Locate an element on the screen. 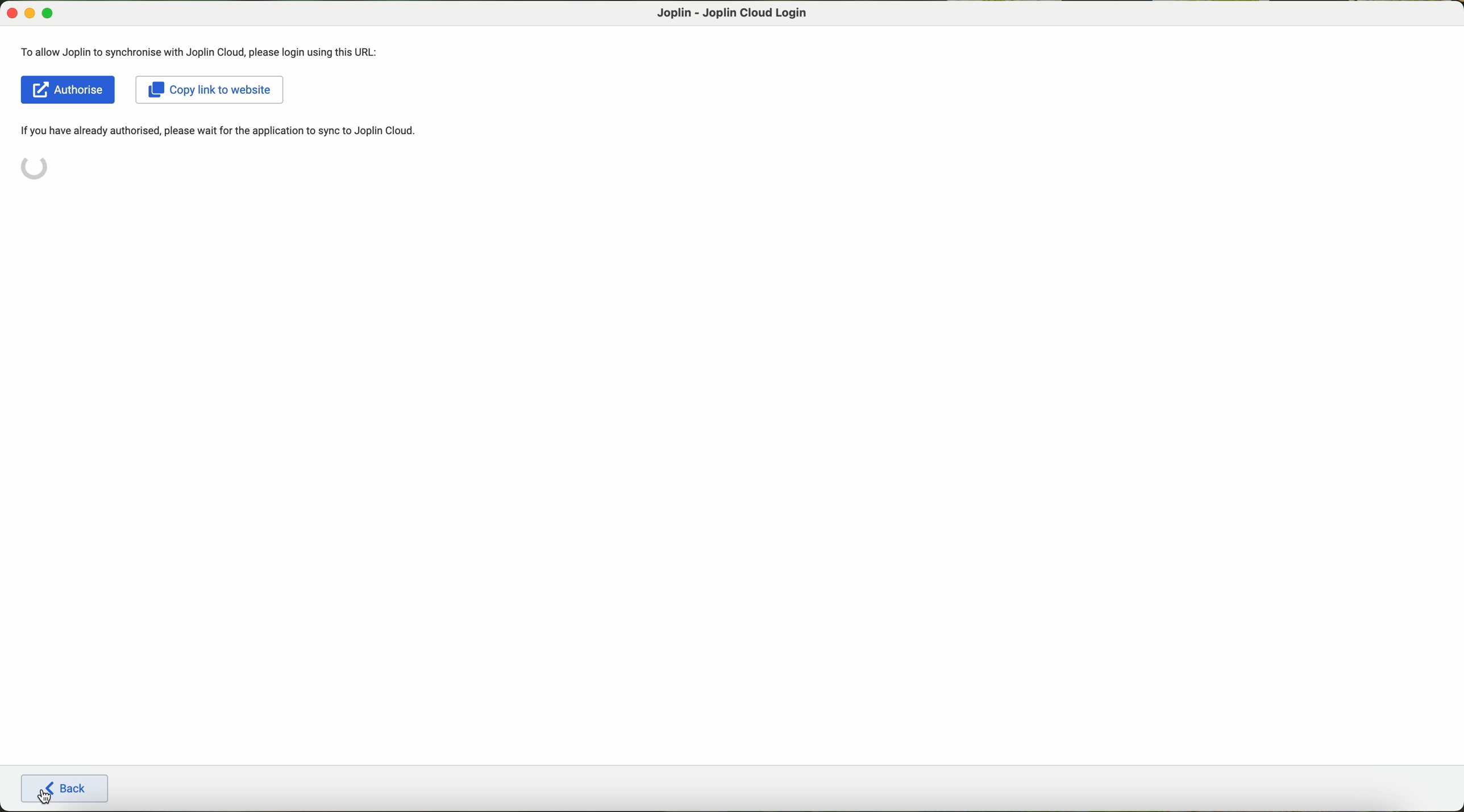 Image resolution: width=1464 pixels, height=812 pixels. minimize Joplin is located at coordinates (30, 14).